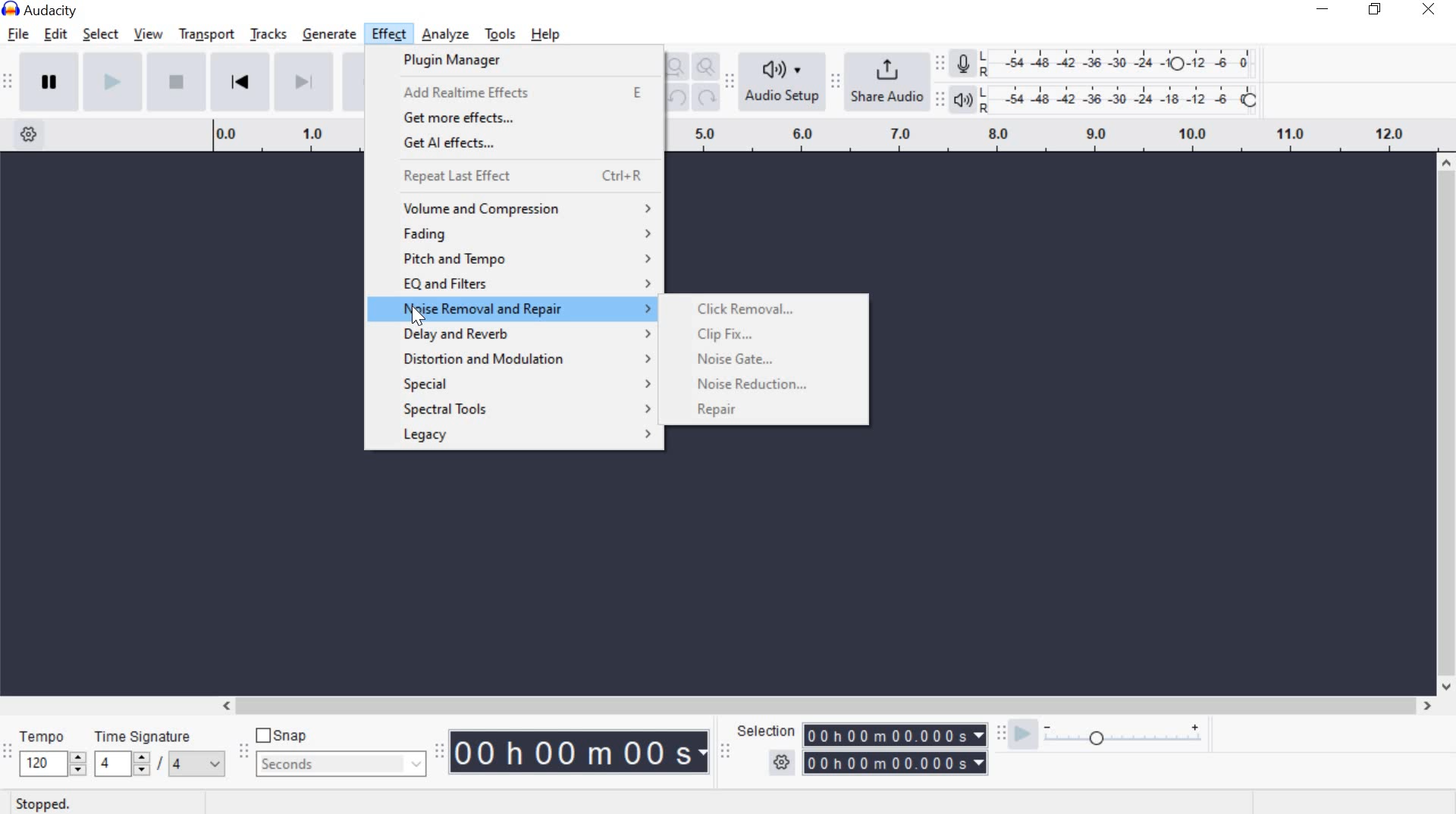 This screenshot has width=1456, height=814. Describe the element at coordinates (962, 100) in the screenshot. I see `Playback meter` at that location.